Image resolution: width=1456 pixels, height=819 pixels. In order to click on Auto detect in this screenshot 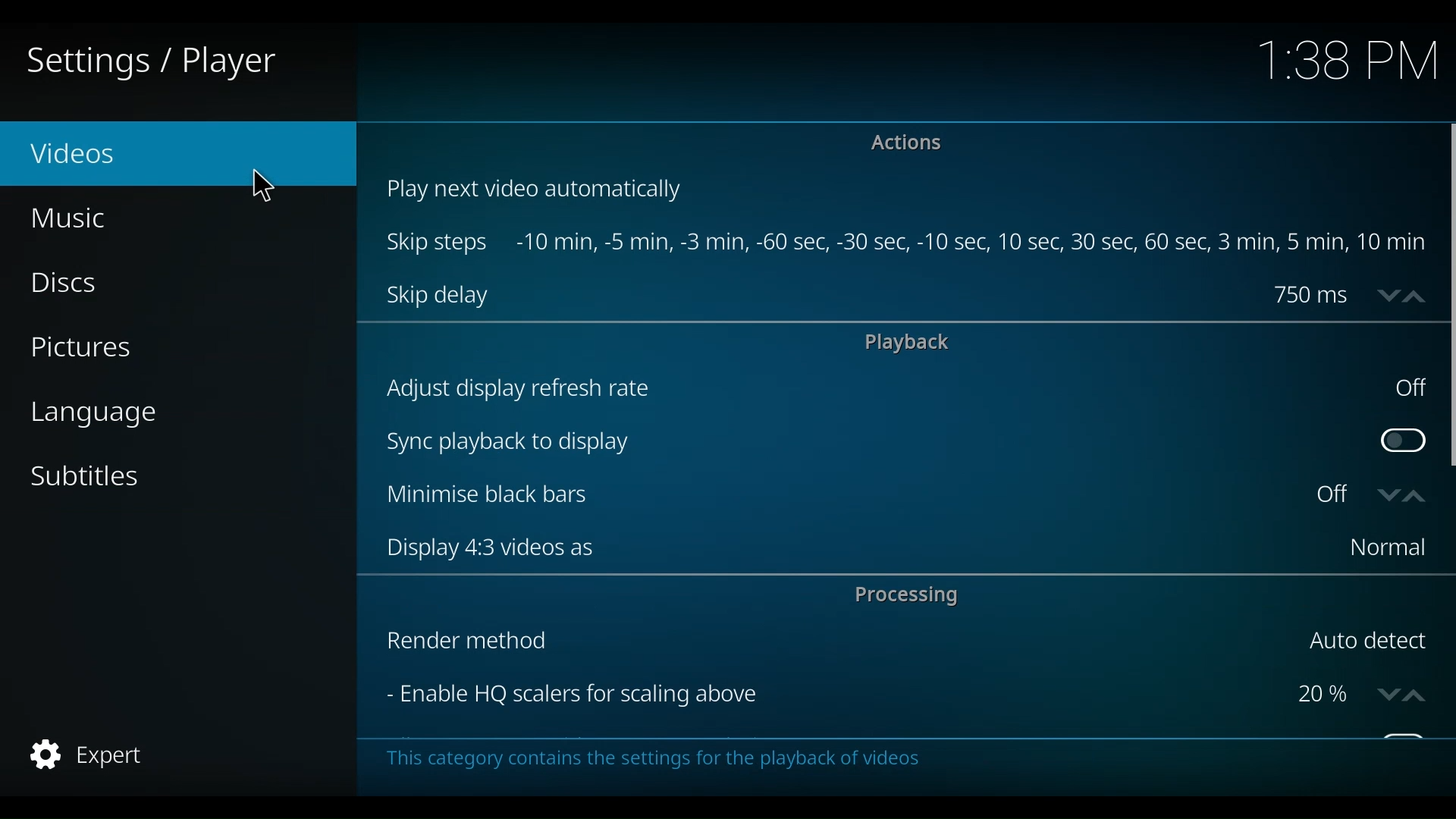, I will do `click(1368, 642)`.